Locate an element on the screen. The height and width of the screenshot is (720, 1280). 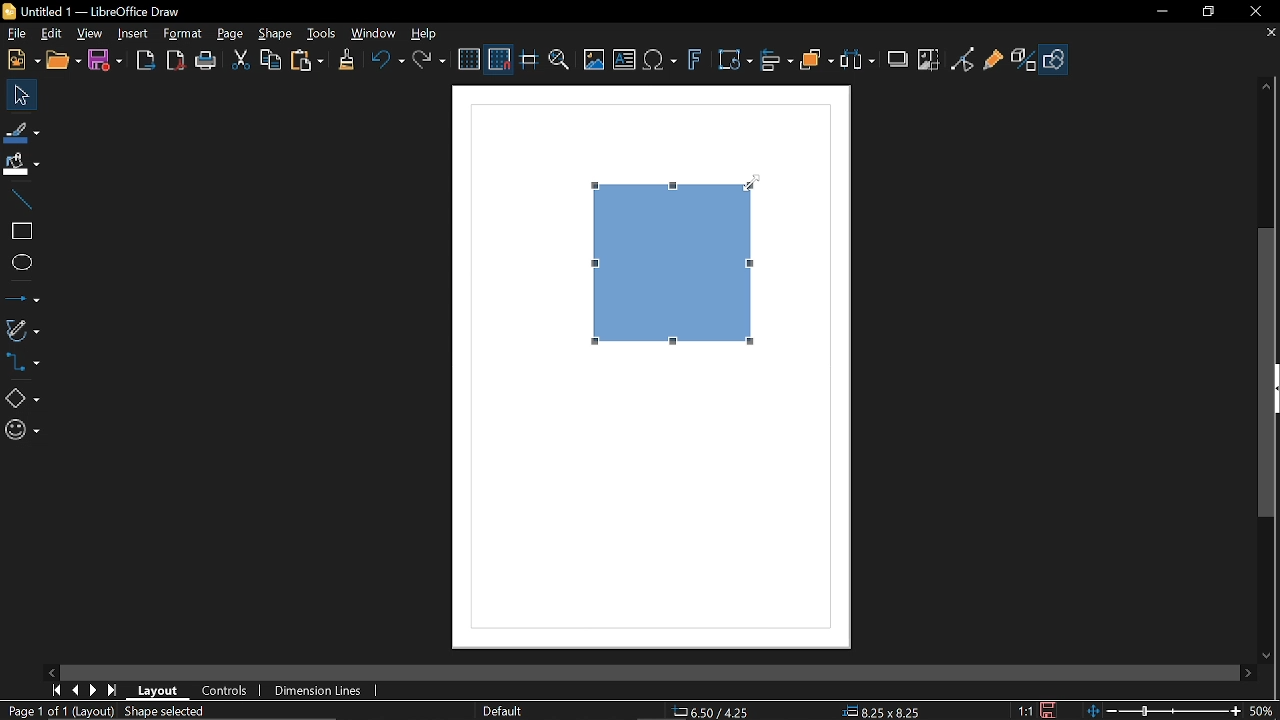
Tools is located at coordinates (322, 33).